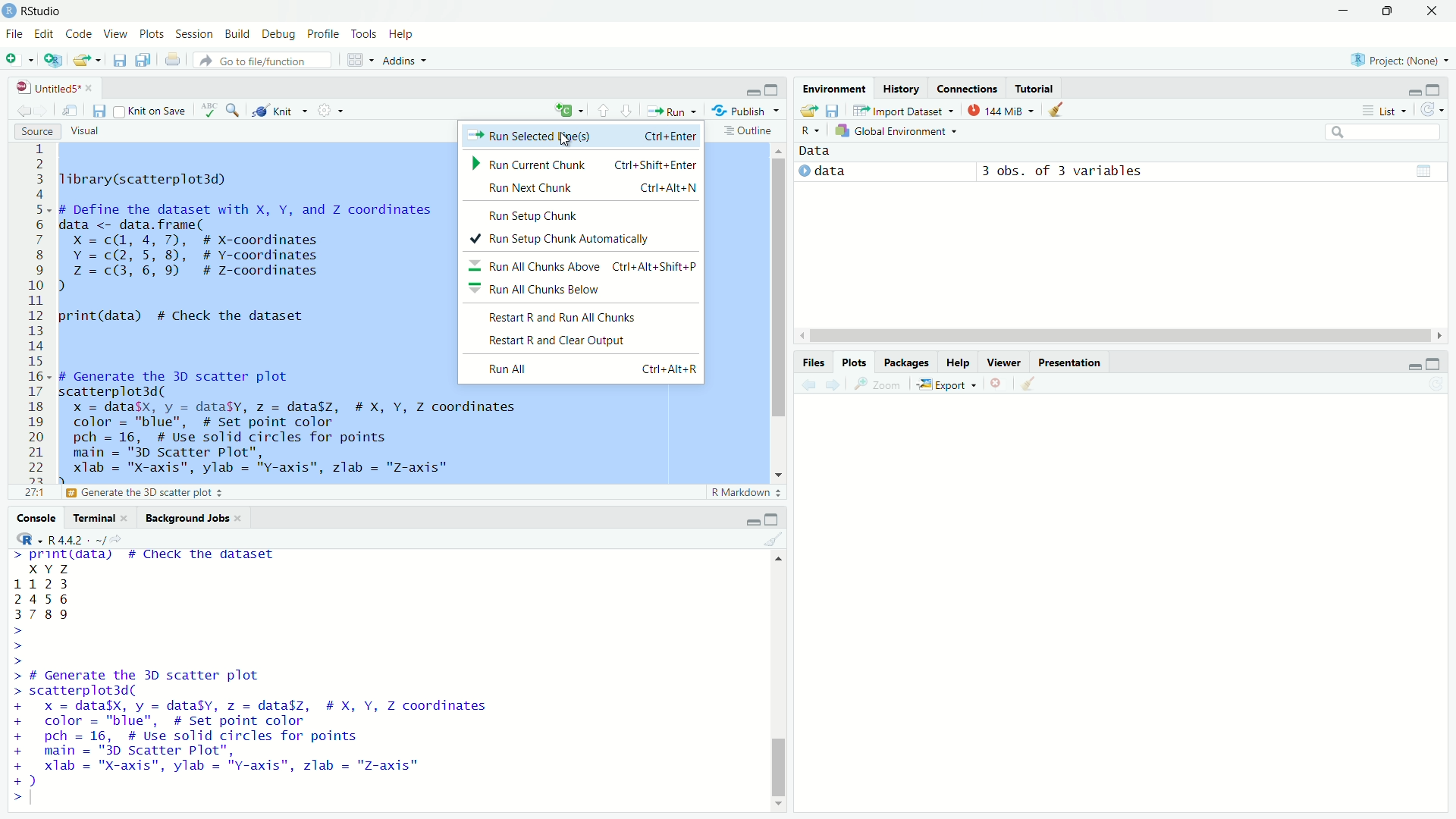  What do you see at coordinates (808, 110) in the screenshot?
I see `load workspace` at bounding box center [808, 110].